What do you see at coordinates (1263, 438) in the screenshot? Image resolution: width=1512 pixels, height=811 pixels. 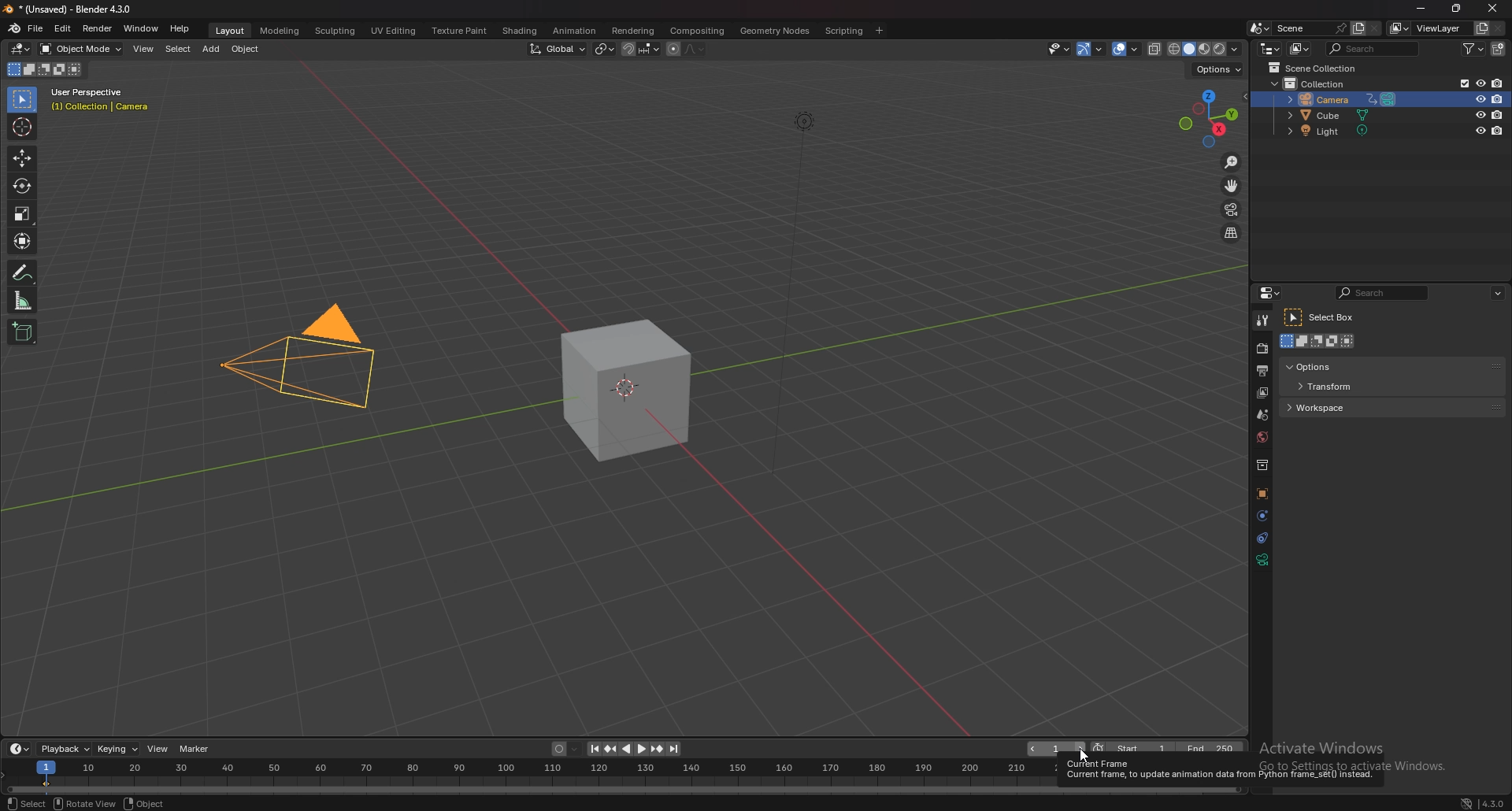 I see `world` at bounding box center [1263, 438].